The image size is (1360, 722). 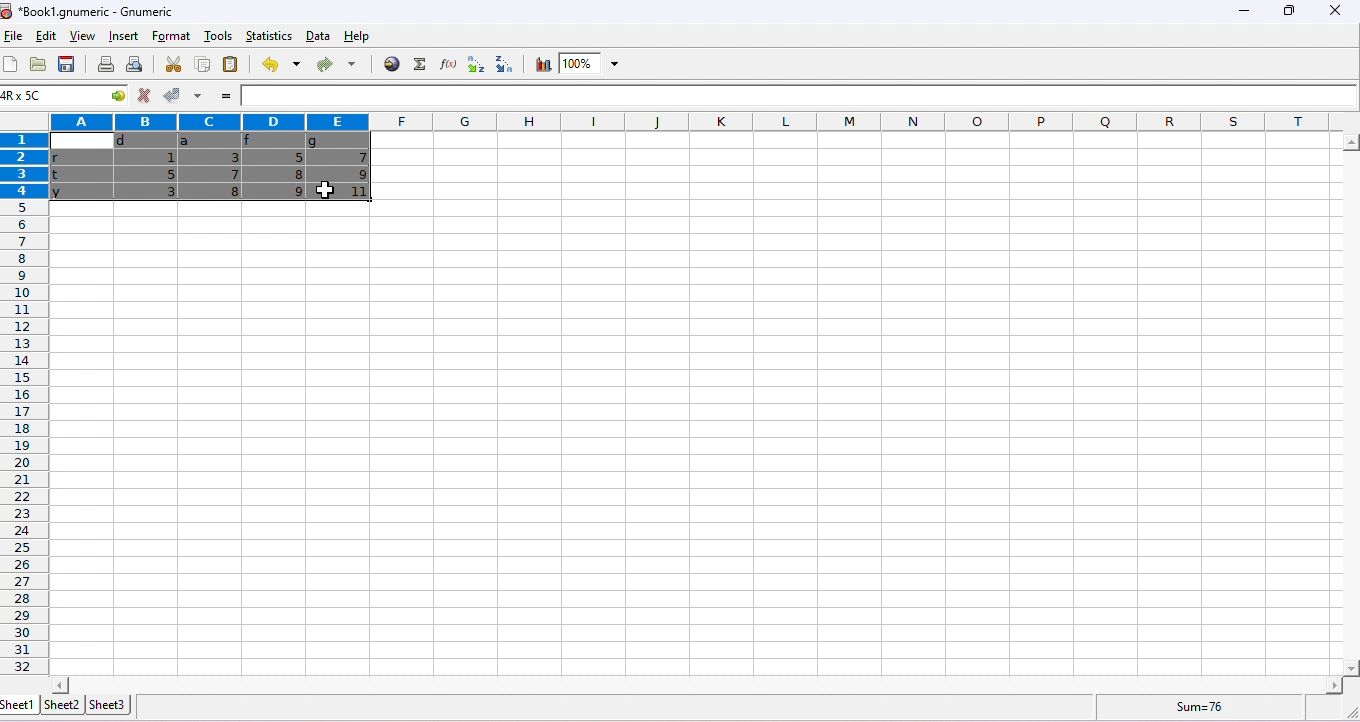 I want to click on redo, so click(x=335, y=66).